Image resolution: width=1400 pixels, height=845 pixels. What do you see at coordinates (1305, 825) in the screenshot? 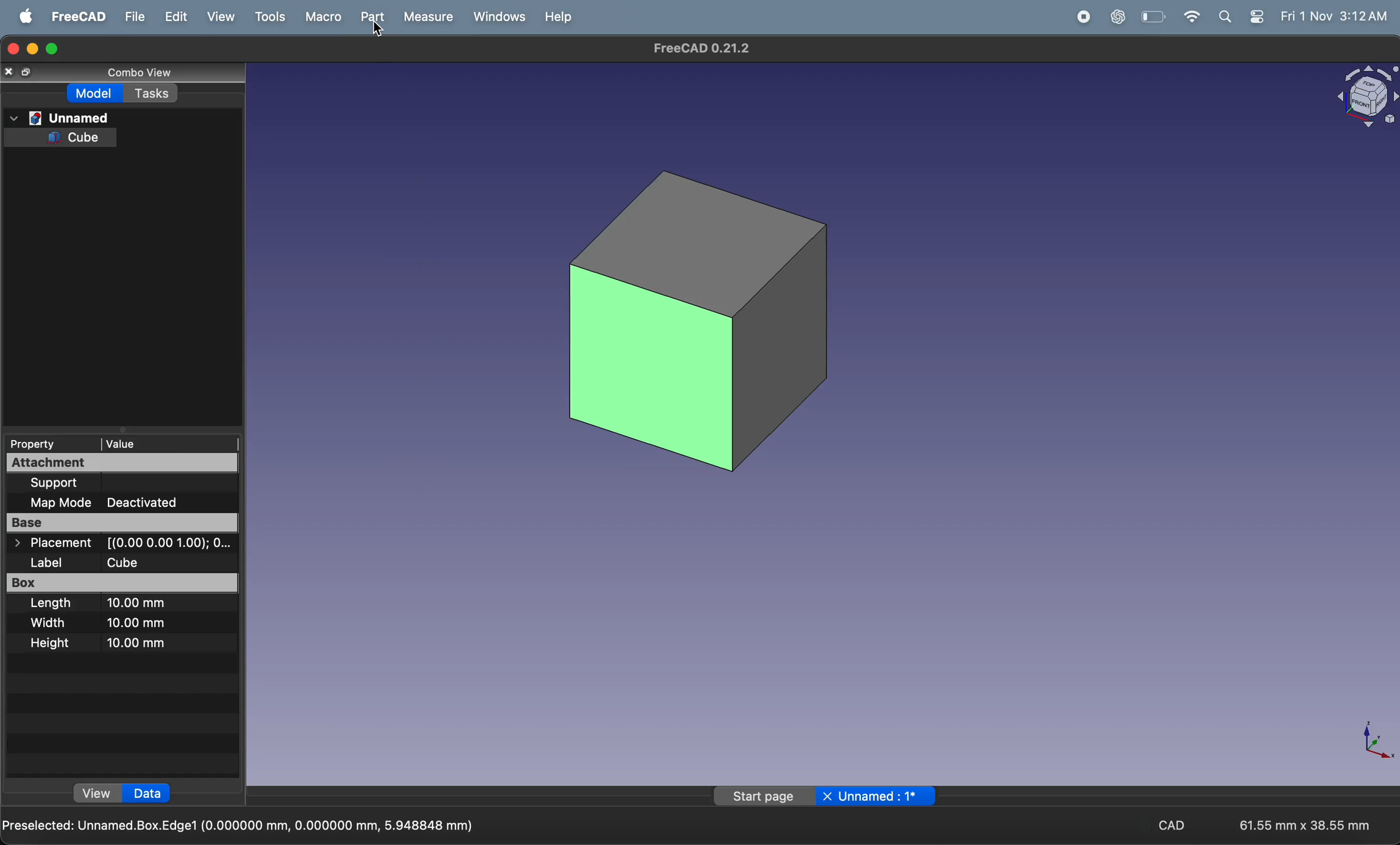
I see `61.55 mm x 38.55 mm` at bounding box center [1305, 825].